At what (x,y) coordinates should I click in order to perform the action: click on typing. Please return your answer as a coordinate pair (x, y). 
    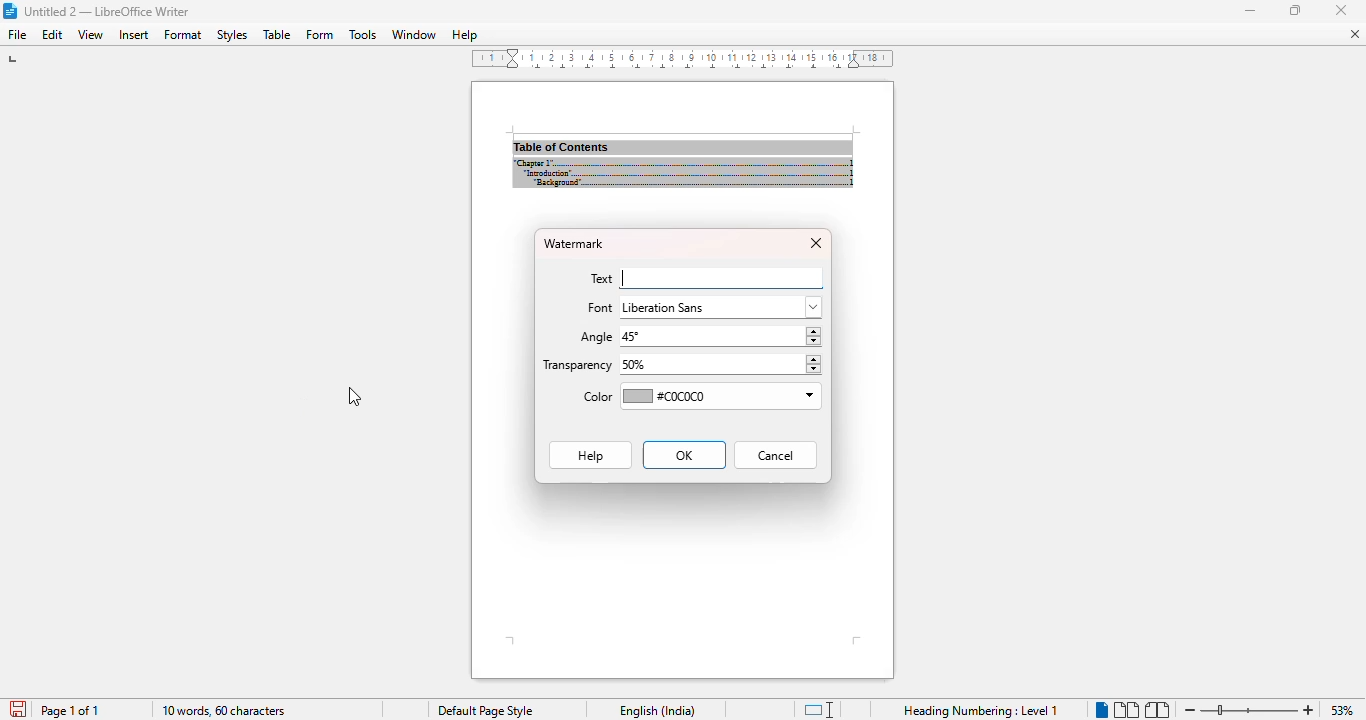
    Looking at the image, I should click on (721, 277).